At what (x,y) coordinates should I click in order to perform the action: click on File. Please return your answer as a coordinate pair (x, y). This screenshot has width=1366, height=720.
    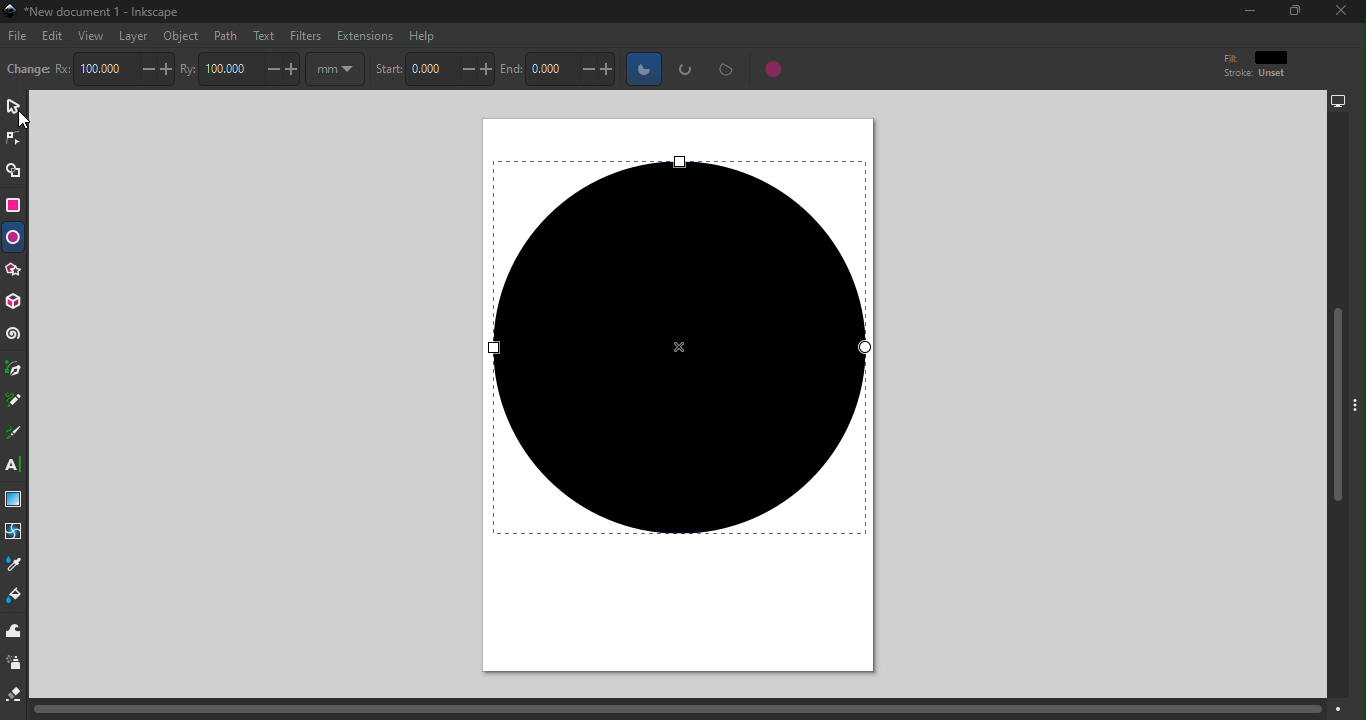
    Looking at the image, I should click on (17, 37).